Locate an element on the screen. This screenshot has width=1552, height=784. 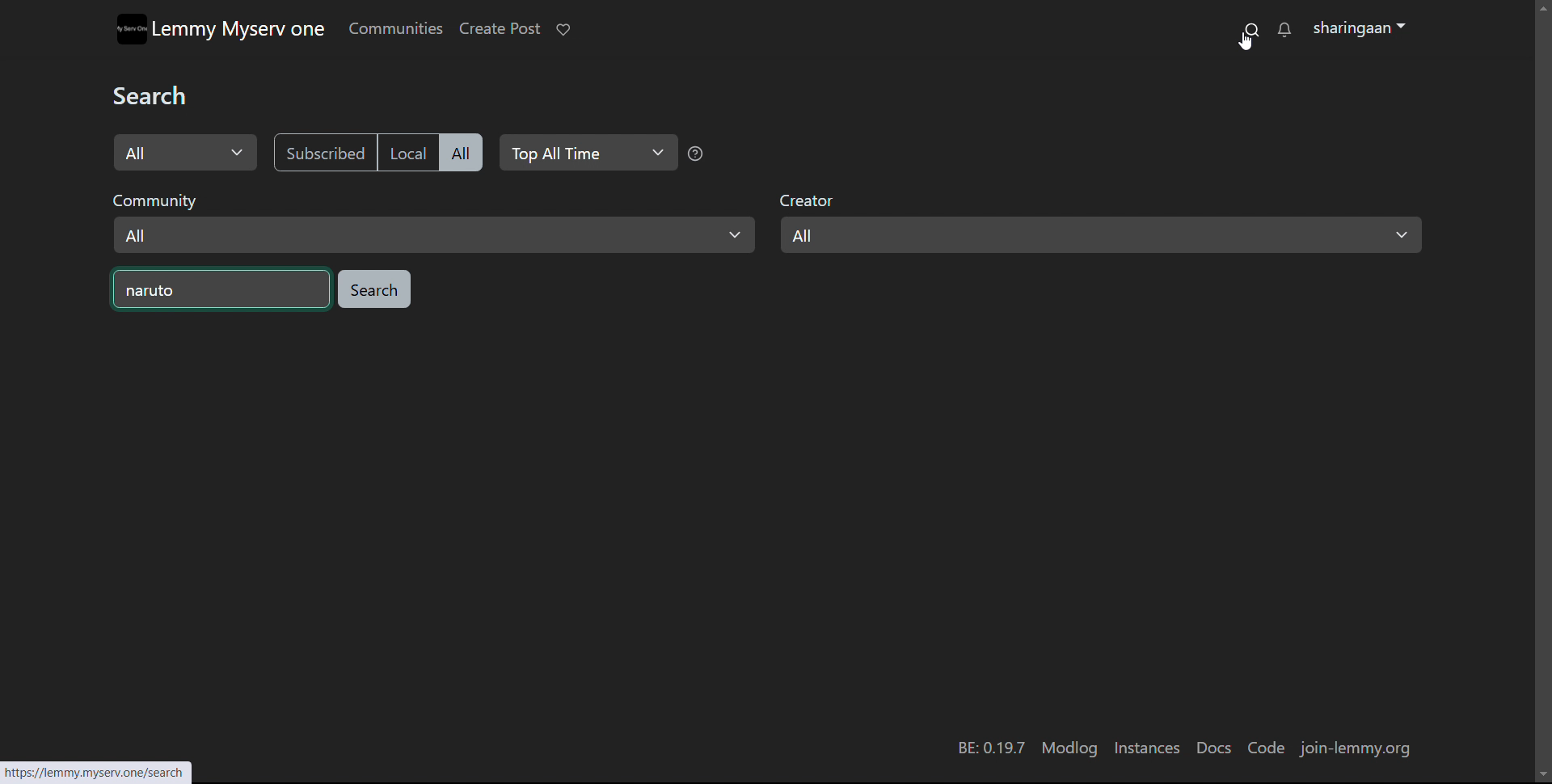
instances is located at coordinates (1147, 750).